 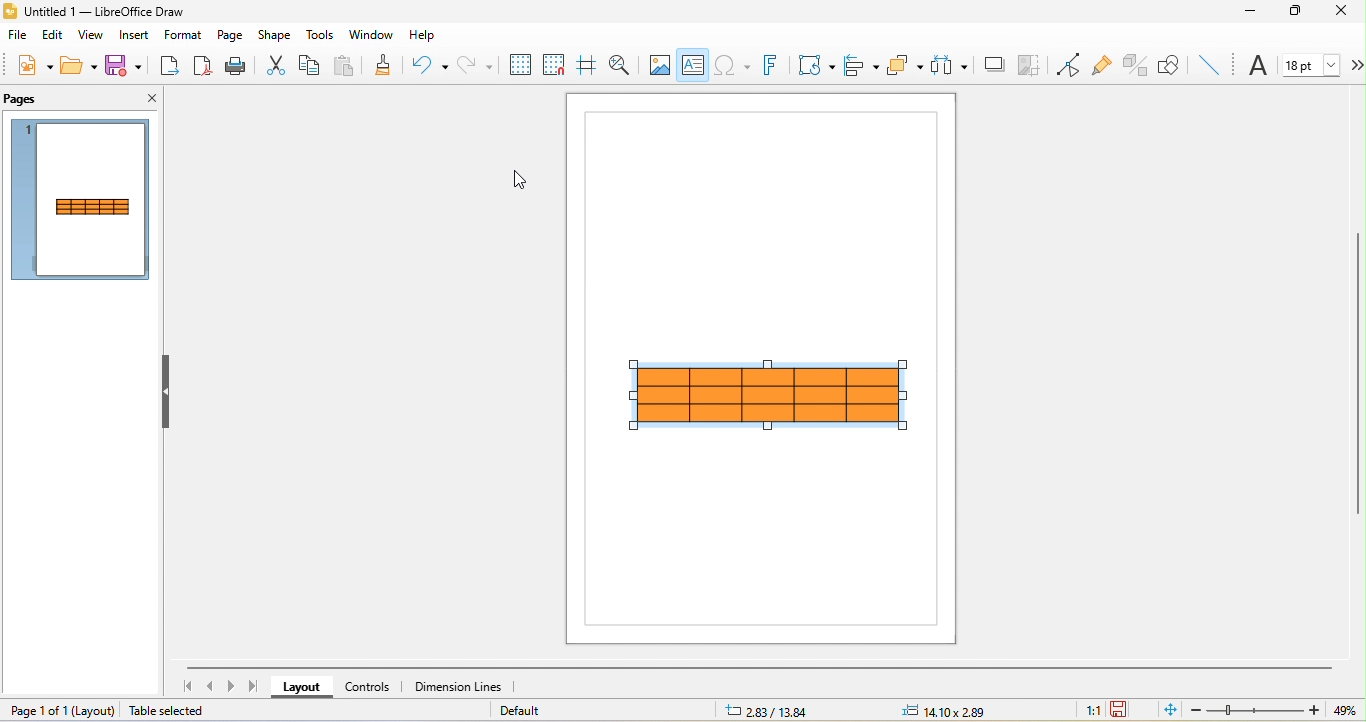 What do you see at coordinates (1253, 14) in the screenshot?
I see `minimize` at bounding box center [1253, 14].